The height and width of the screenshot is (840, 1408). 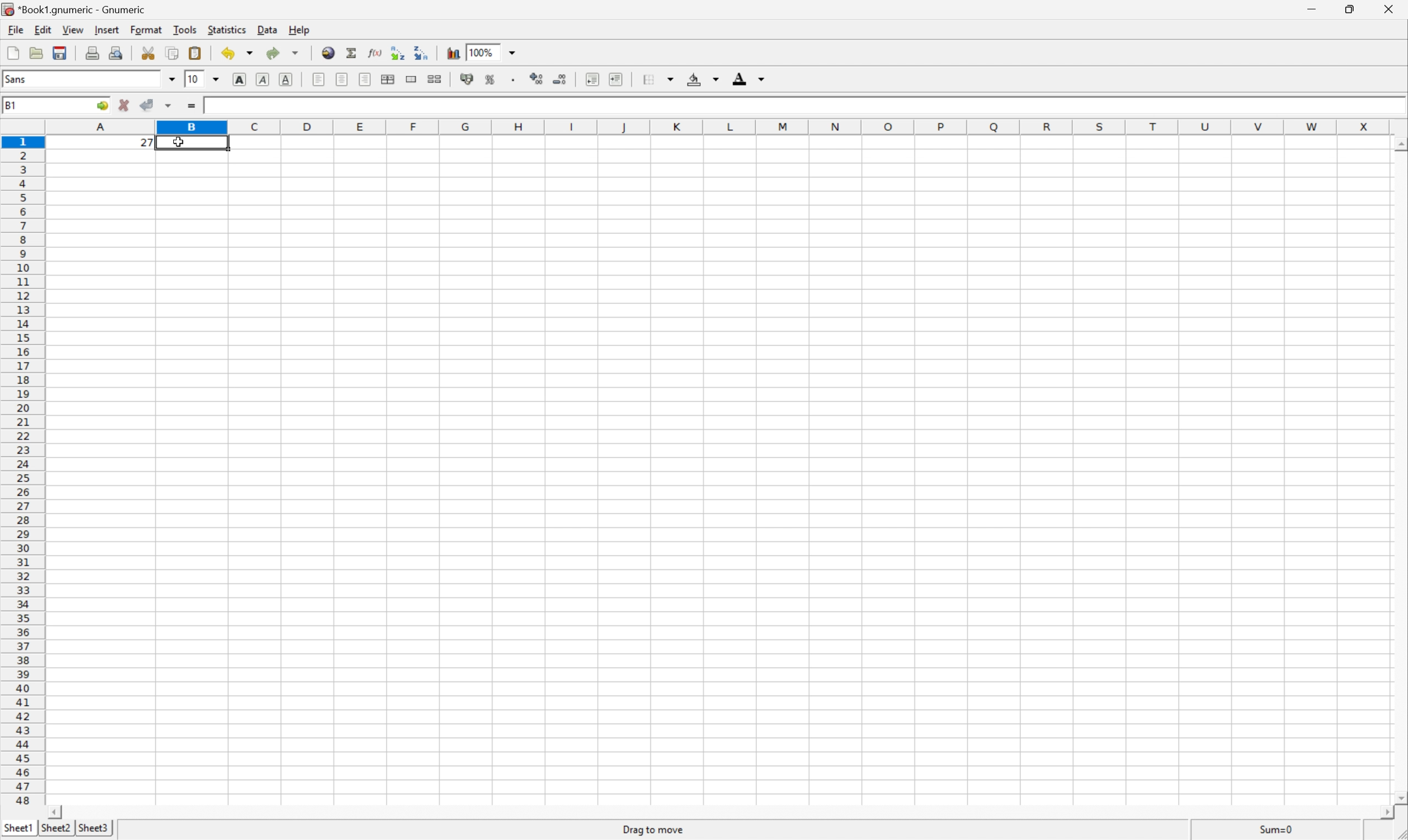 I want to click on 10, so click(x=194, y=79).